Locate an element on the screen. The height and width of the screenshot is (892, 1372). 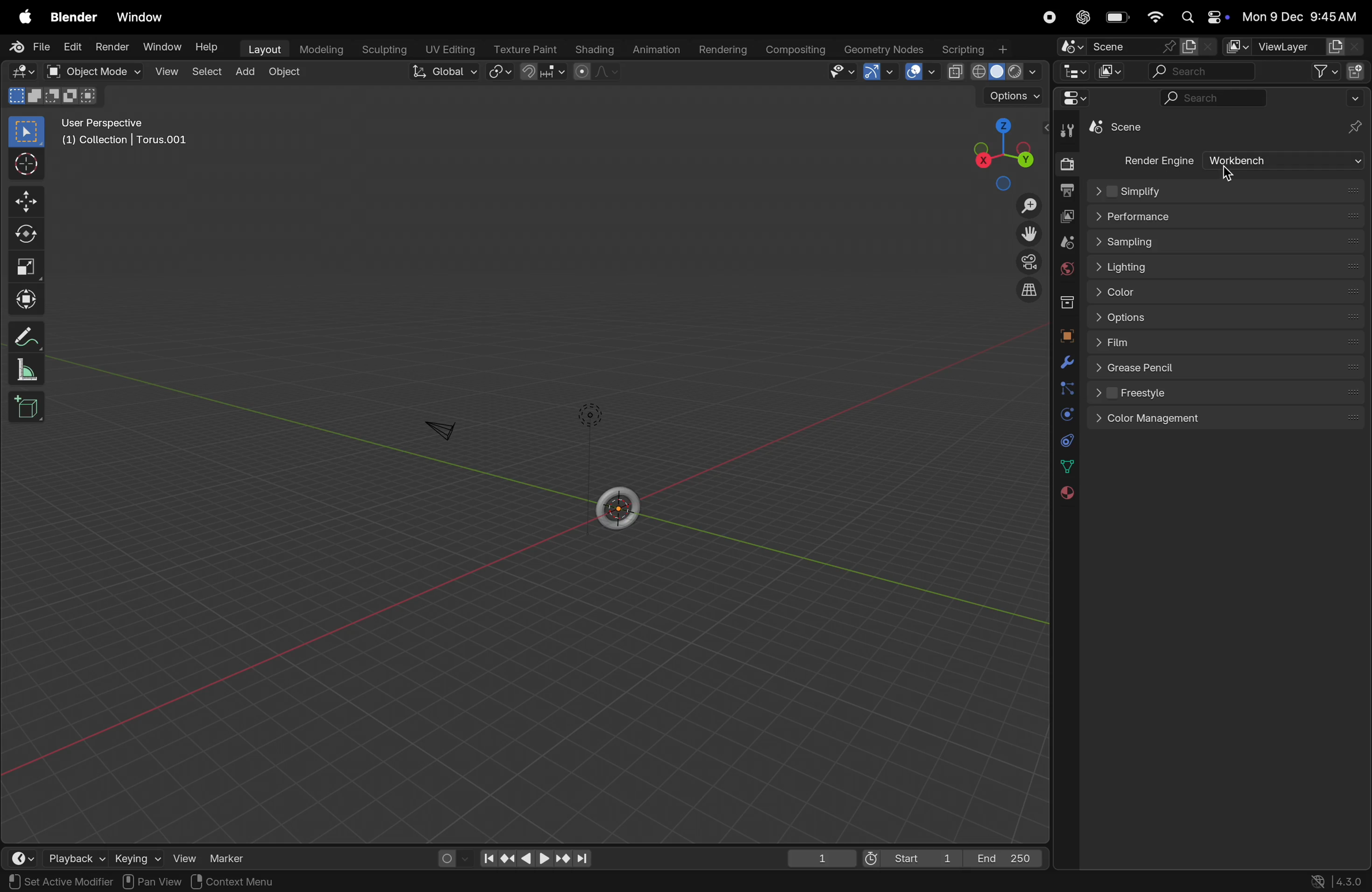
filter is located at coordinates (1324, 71).